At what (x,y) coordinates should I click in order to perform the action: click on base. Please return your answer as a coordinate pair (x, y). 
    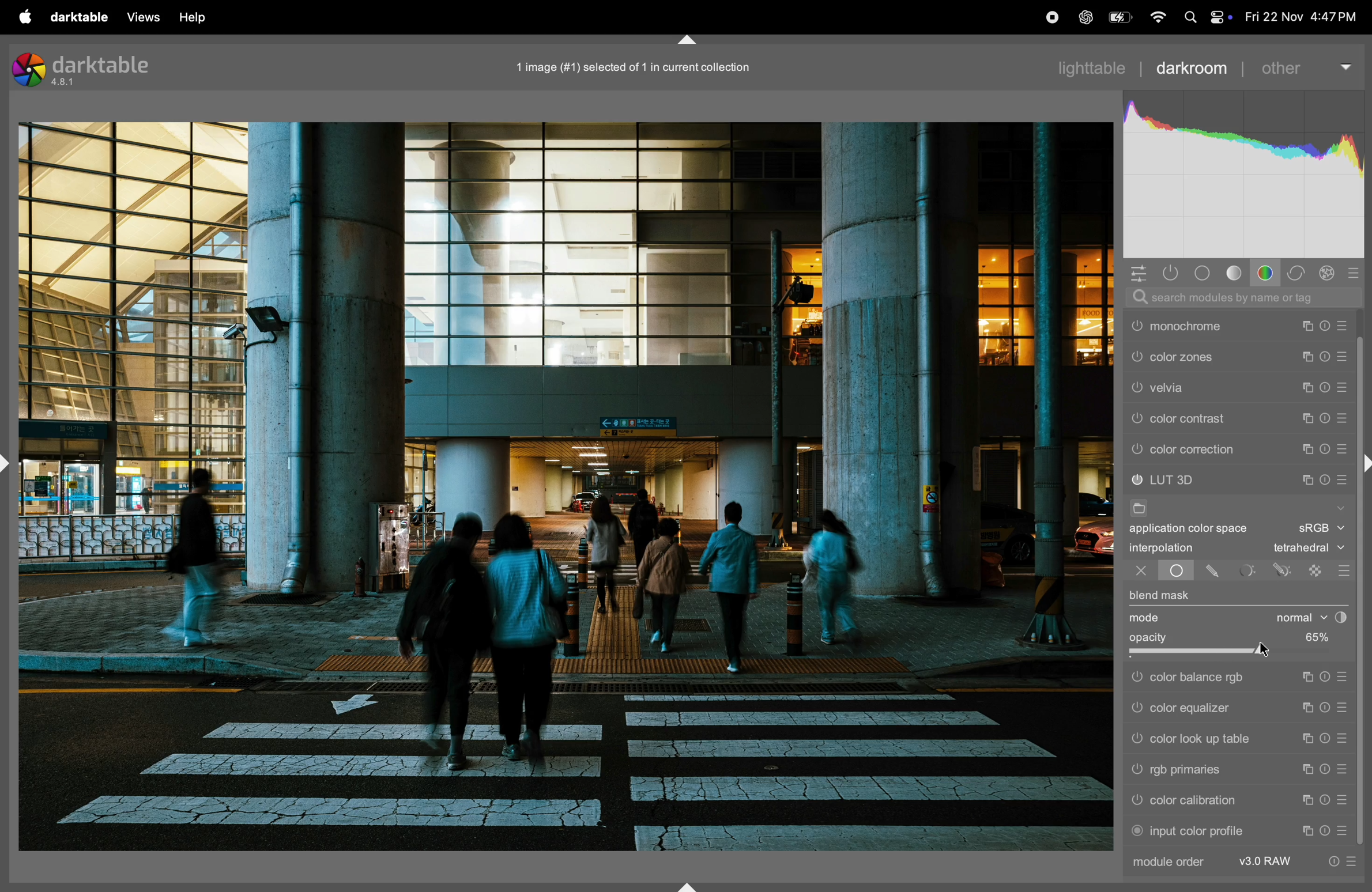
    Looking at the image, I should click on (1205, 274).